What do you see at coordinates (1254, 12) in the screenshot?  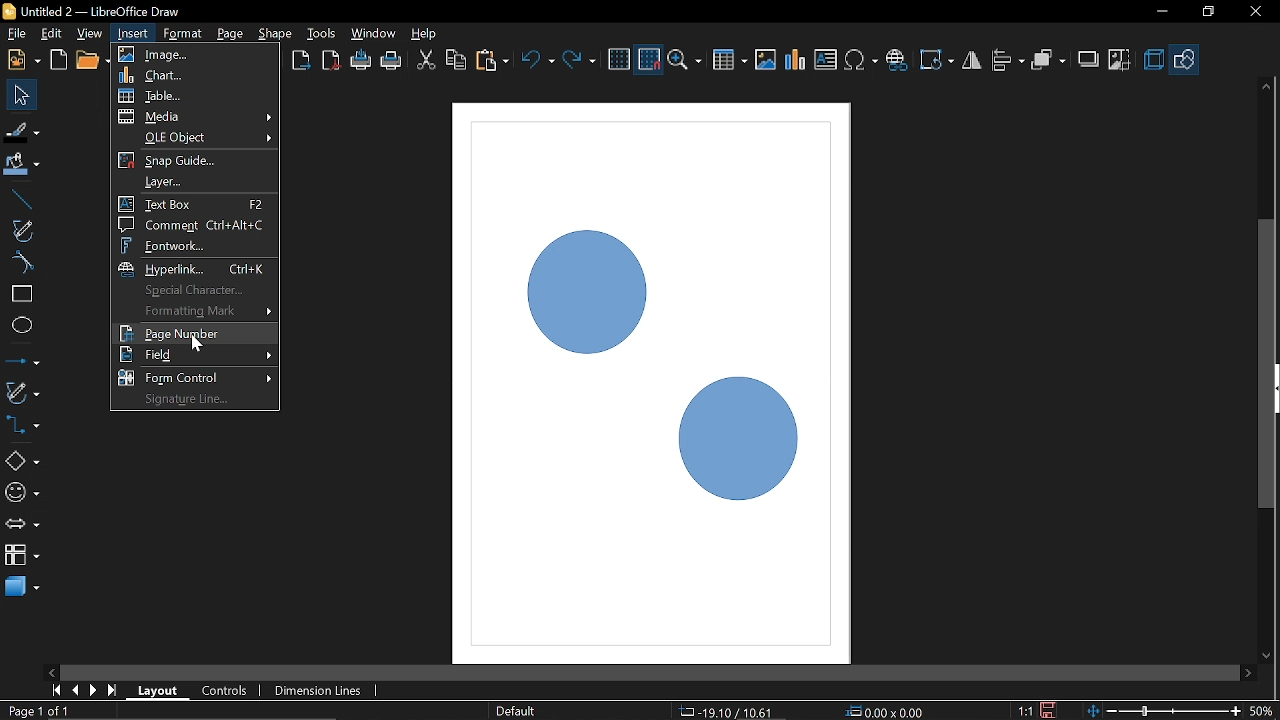 I see `CLose` at bounding box center [1254, 12].